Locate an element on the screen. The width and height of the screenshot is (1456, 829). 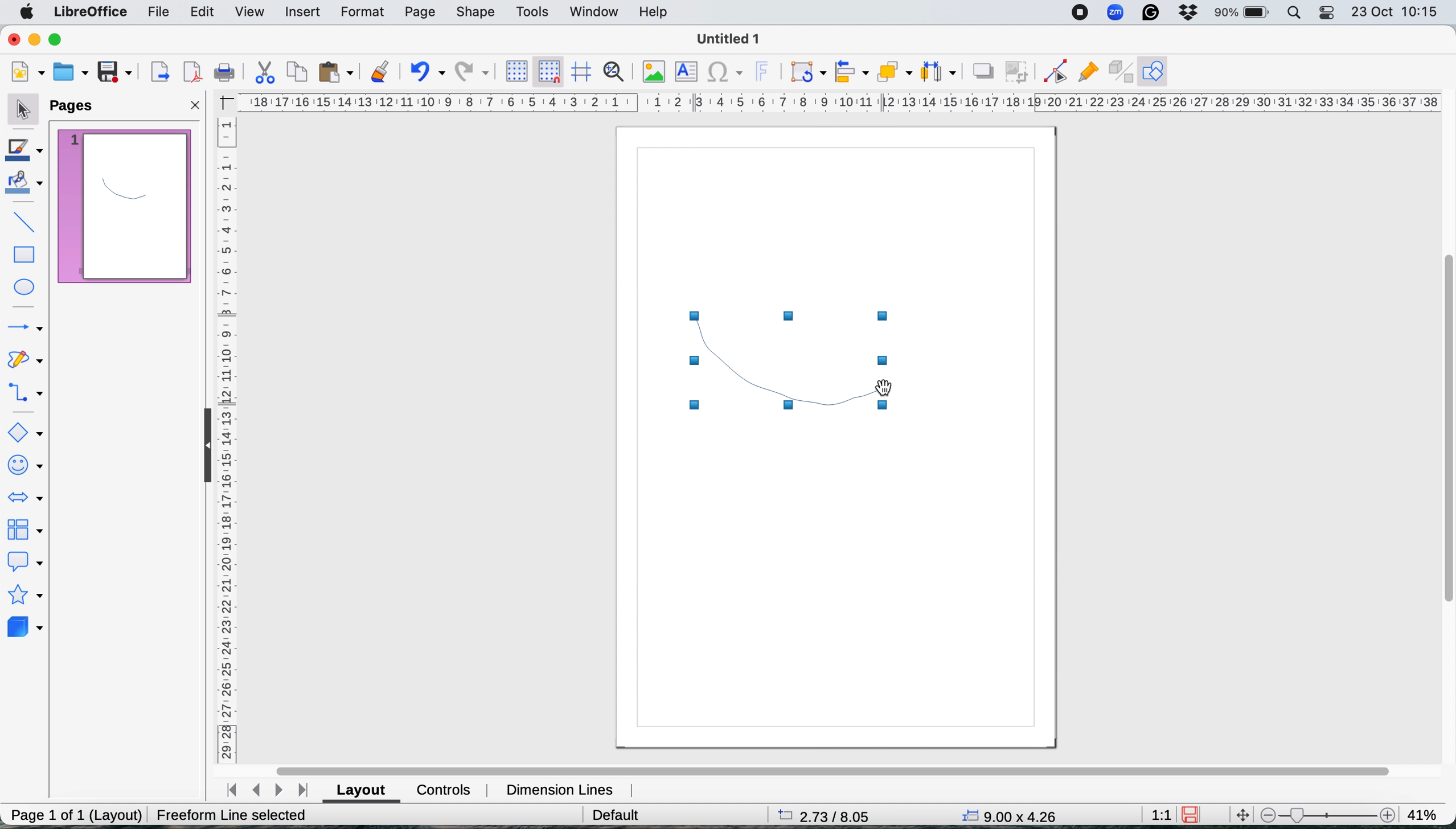
horiztontal scale is located at coordinates (839, 102).